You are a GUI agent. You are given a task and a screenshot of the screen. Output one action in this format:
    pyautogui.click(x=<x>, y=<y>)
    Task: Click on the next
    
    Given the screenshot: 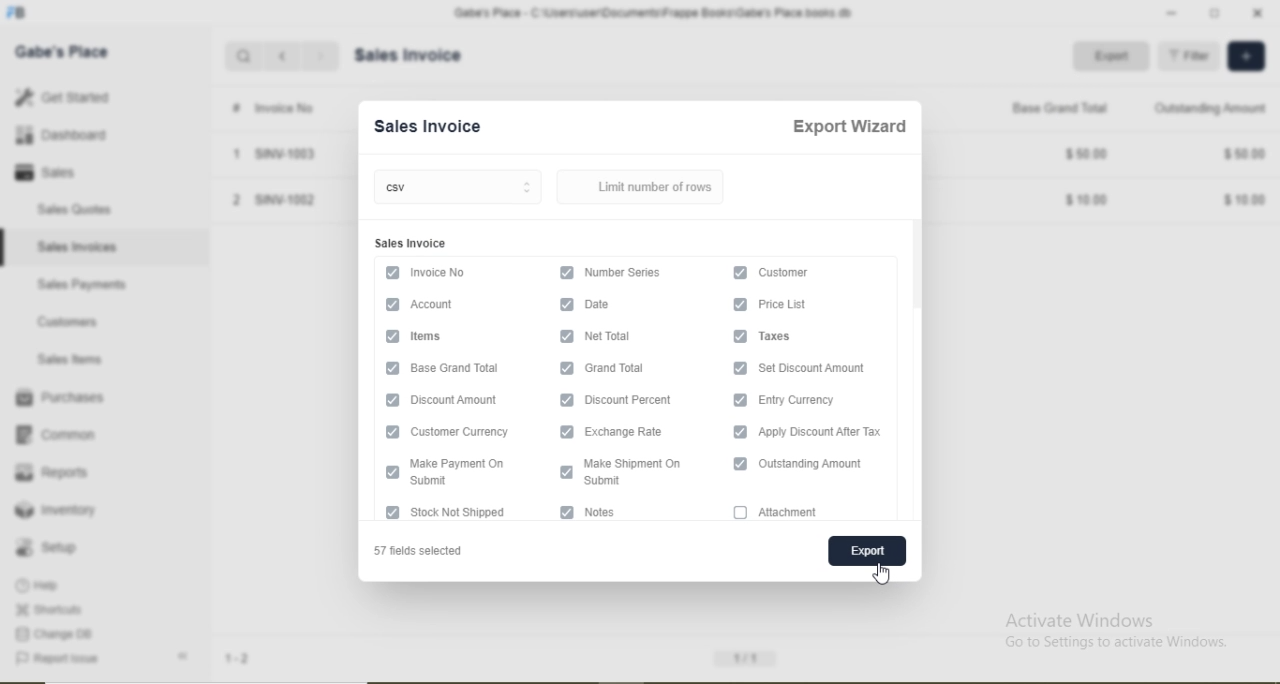 What is the action you would take?
    pyautogui.click(x=320, y=57)
    